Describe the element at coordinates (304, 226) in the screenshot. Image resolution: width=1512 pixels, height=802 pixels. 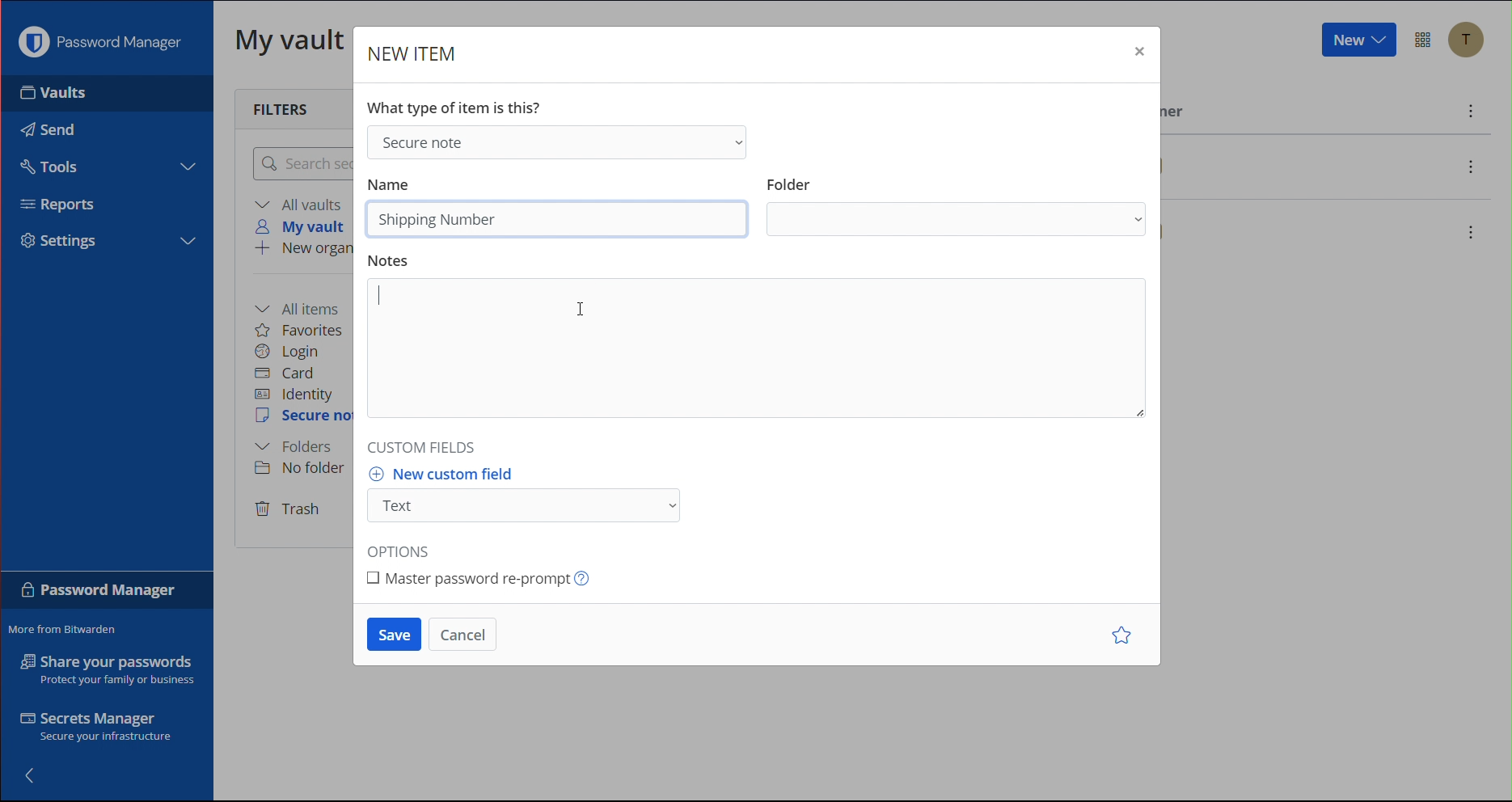
I see `My vault` at that location.